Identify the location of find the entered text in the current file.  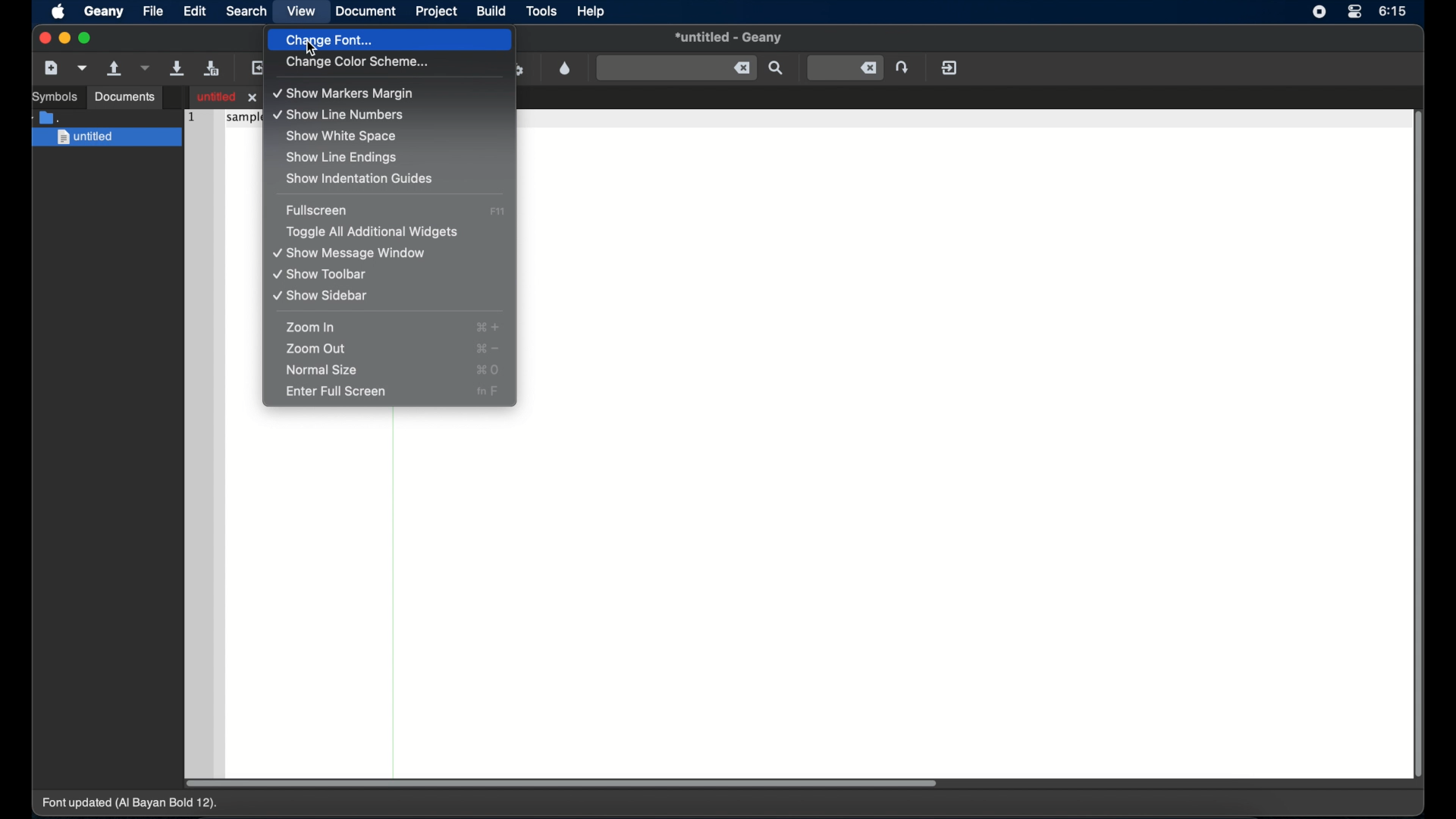
(777, 68).